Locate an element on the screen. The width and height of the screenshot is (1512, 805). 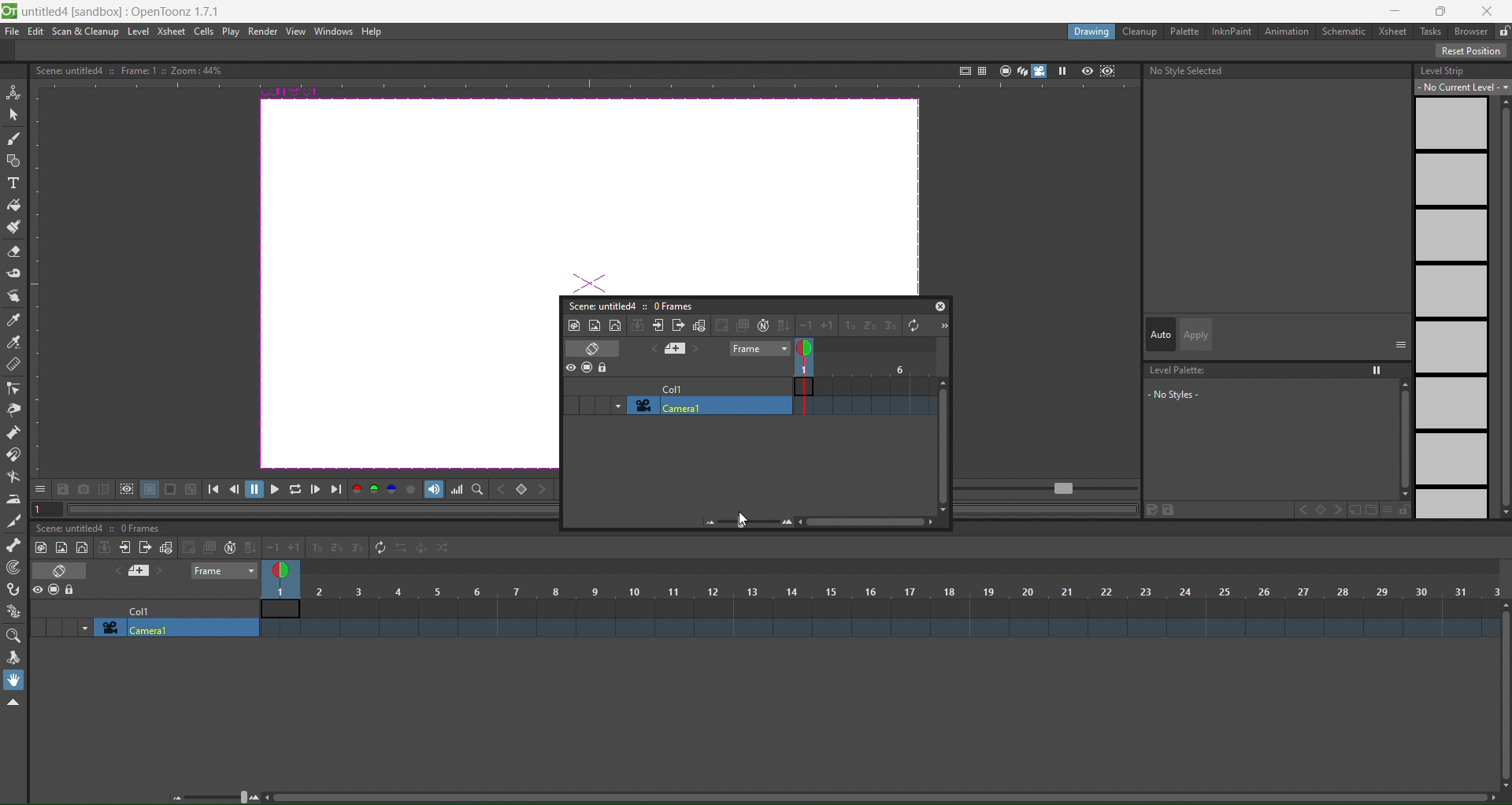
close sub sheet is located at coordinates (145, 549).